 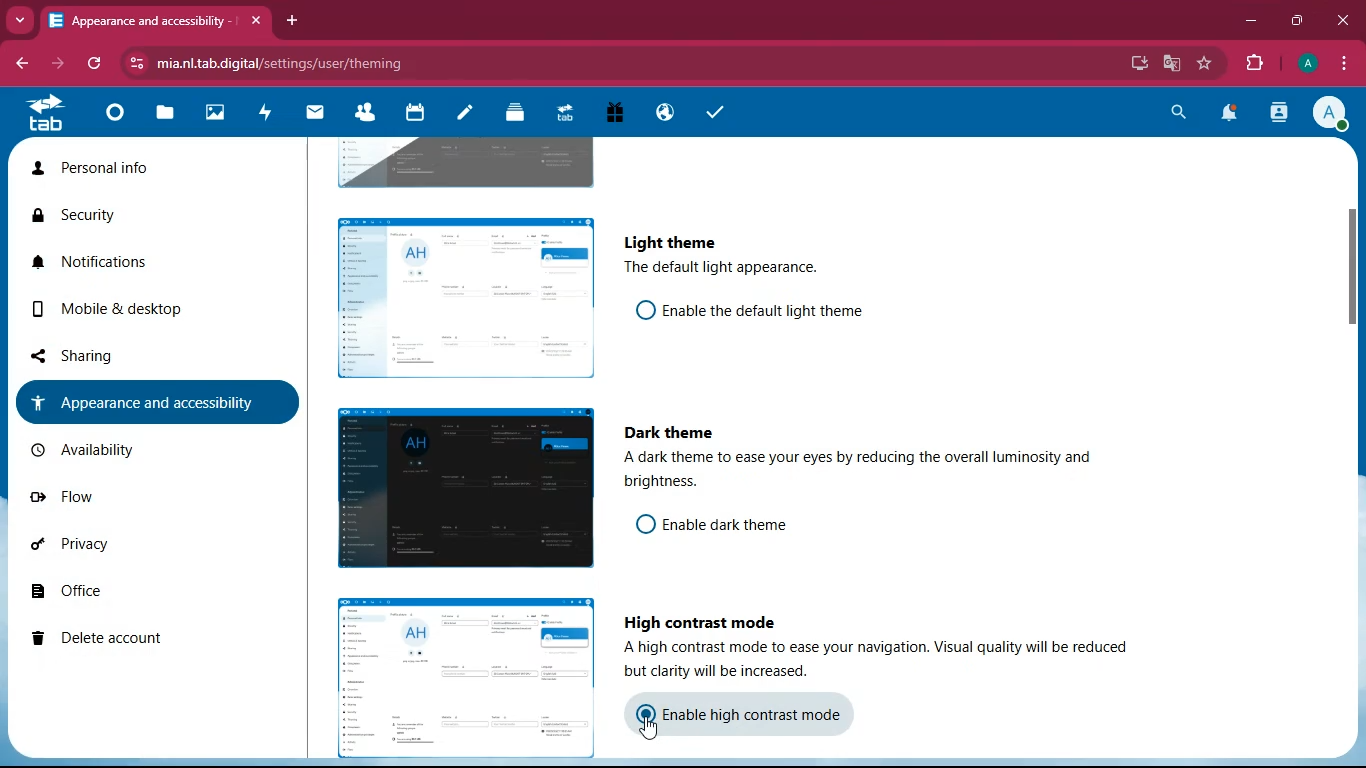 What do you see at coordinates (1206, 65) in the screenshot?
I see `favourite` at bounding box center [1206, 65].